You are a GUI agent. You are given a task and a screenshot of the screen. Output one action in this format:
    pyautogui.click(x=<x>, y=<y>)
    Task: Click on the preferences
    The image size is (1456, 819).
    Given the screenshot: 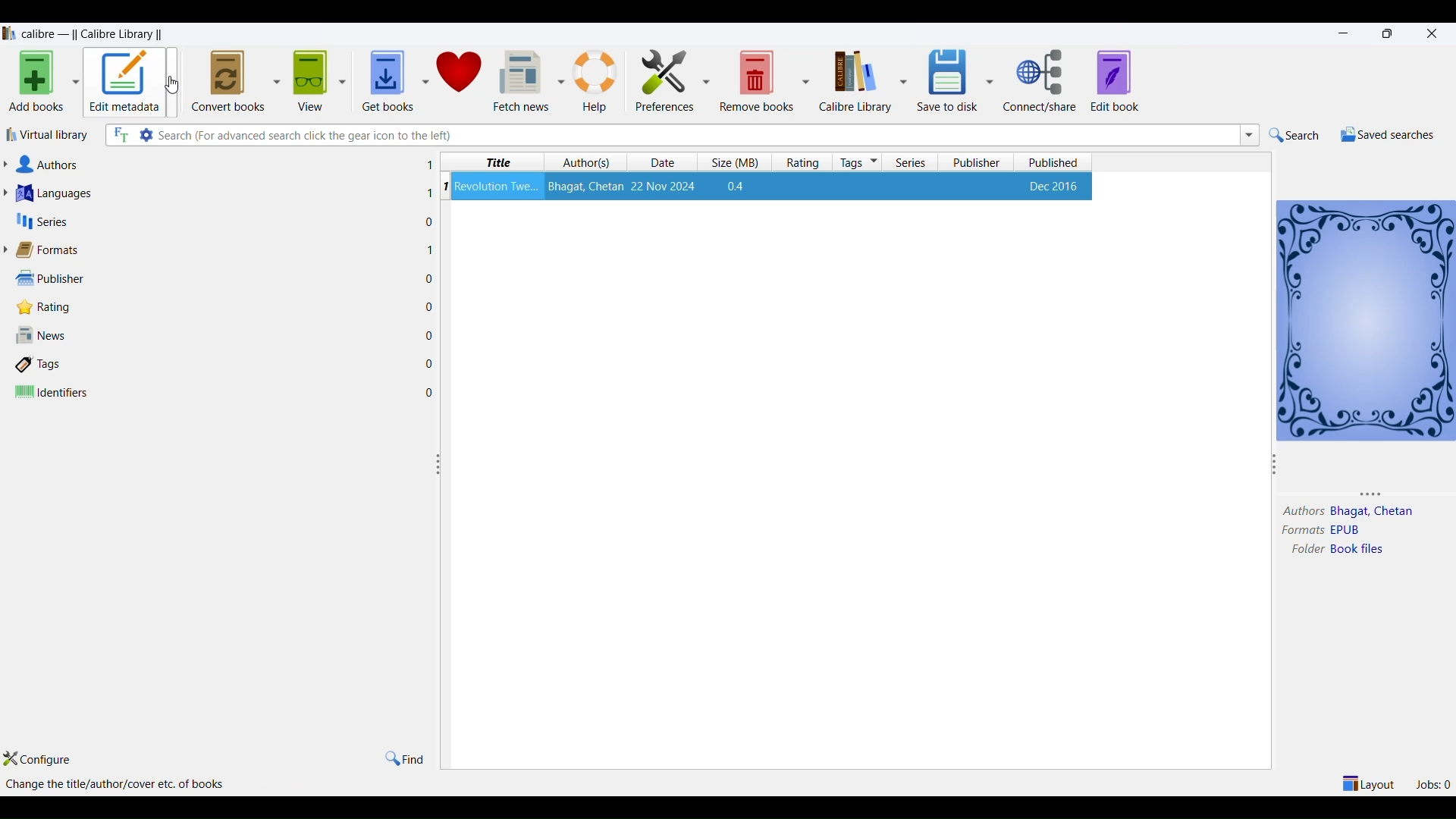 What is the action you would take?
    pyautogui.click(x=661, y=74)
    